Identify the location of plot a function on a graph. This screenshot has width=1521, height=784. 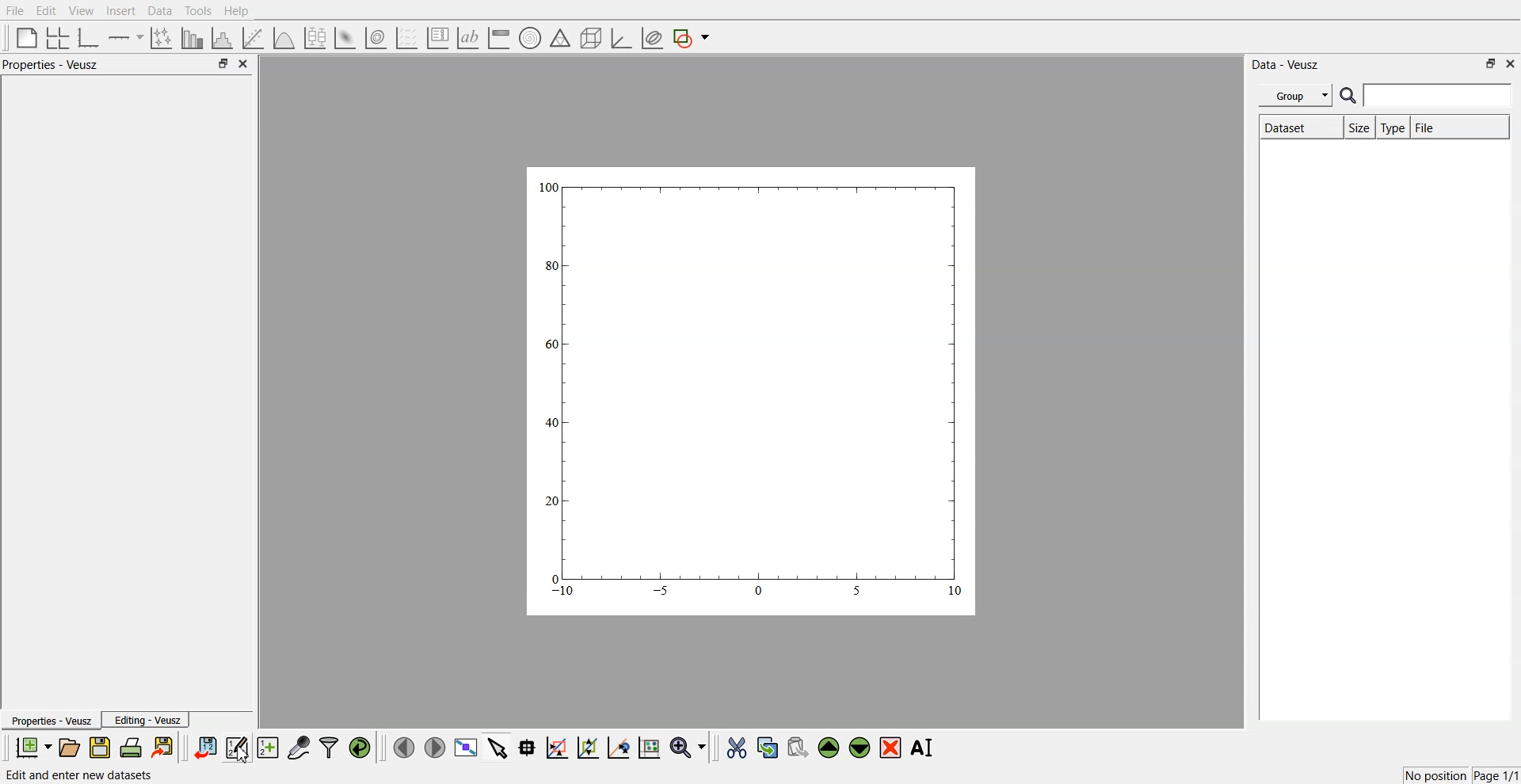
(284, 36).